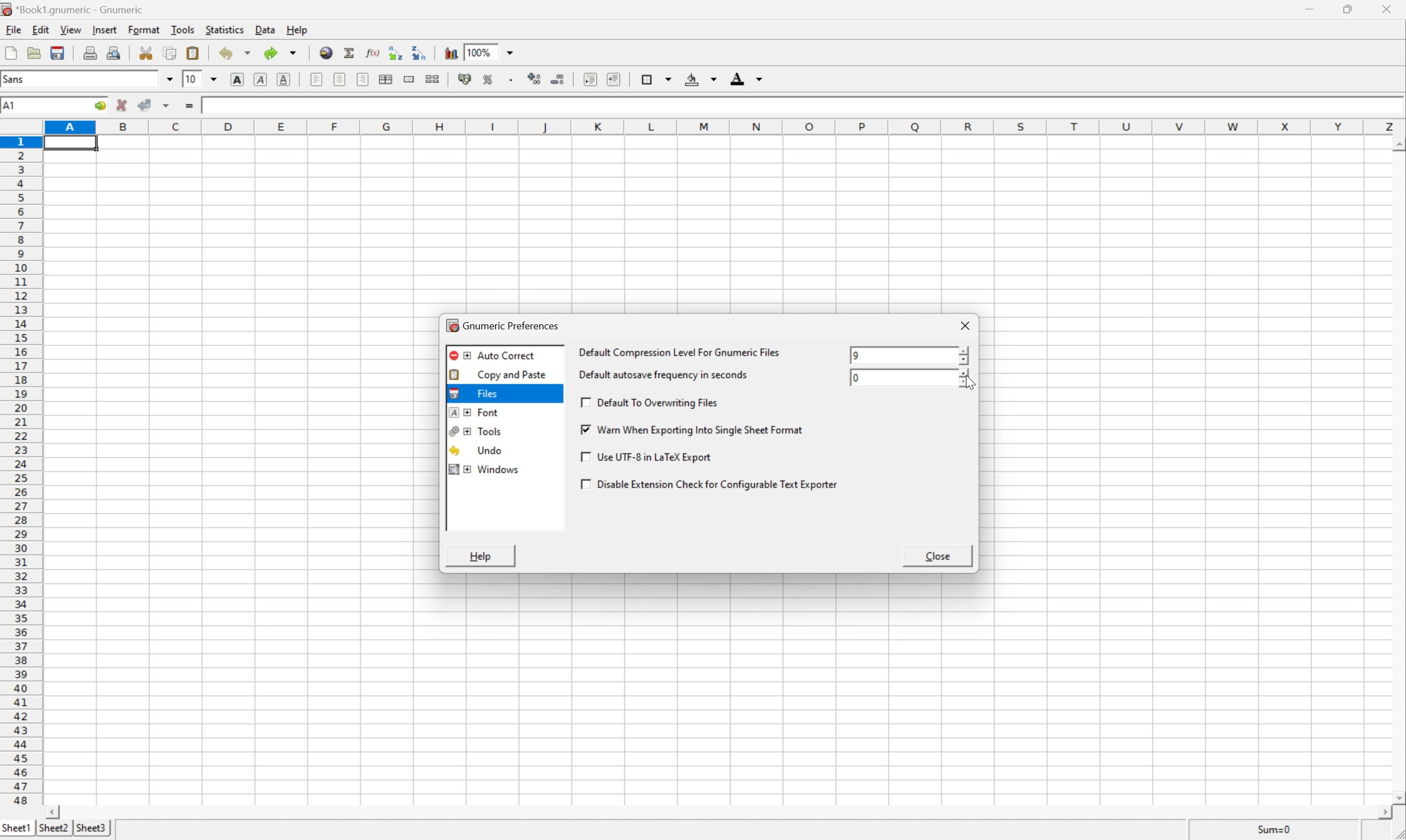 This screenshot has height=840, width=1406. I want to click on default compression level for gnumeric files, so click(763, 352).